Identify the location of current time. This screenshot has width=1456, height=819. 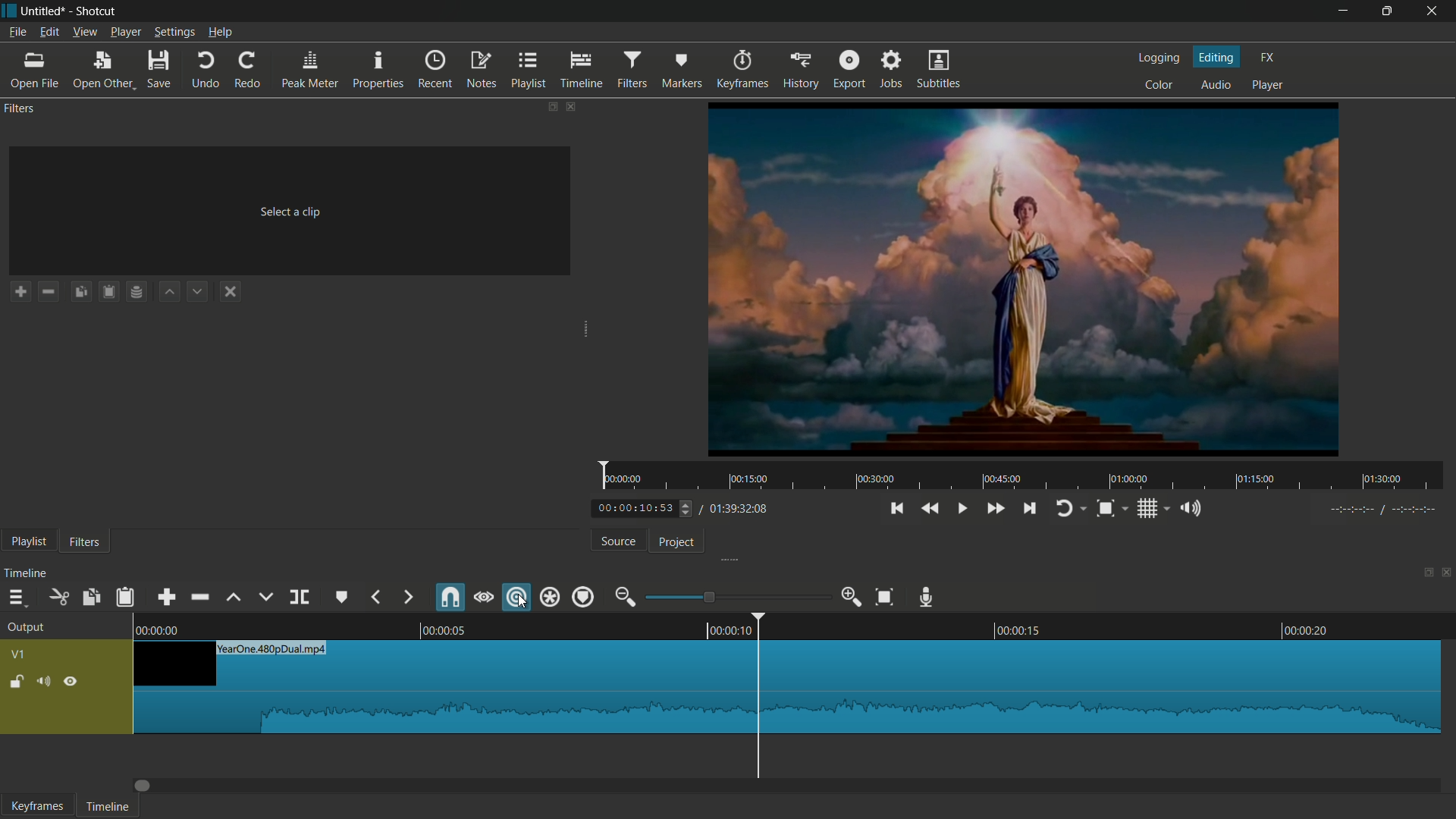
(635, 509).